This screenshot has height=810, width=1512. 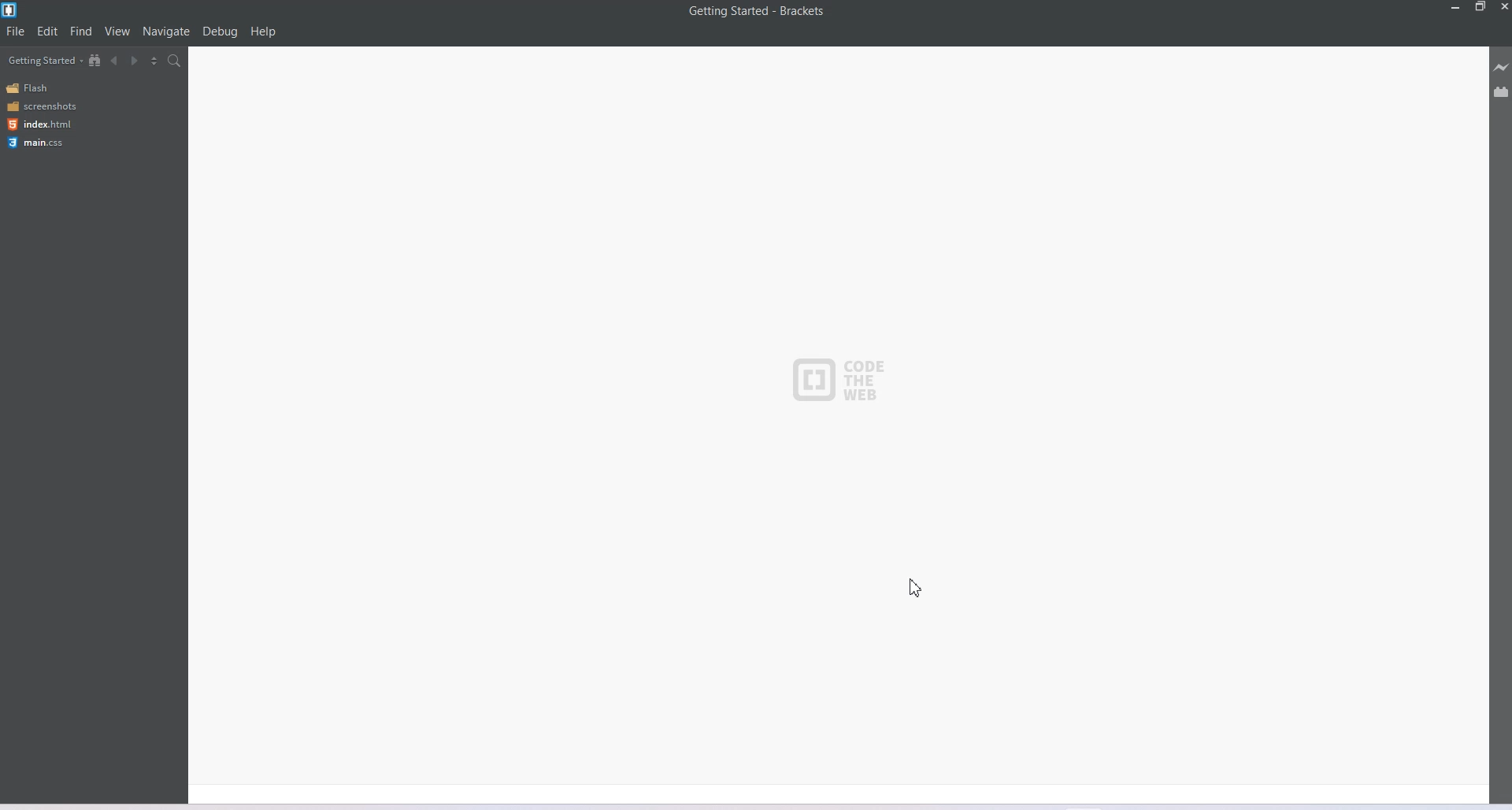 I want to click on Screenshots, so click(x=41, y=106).